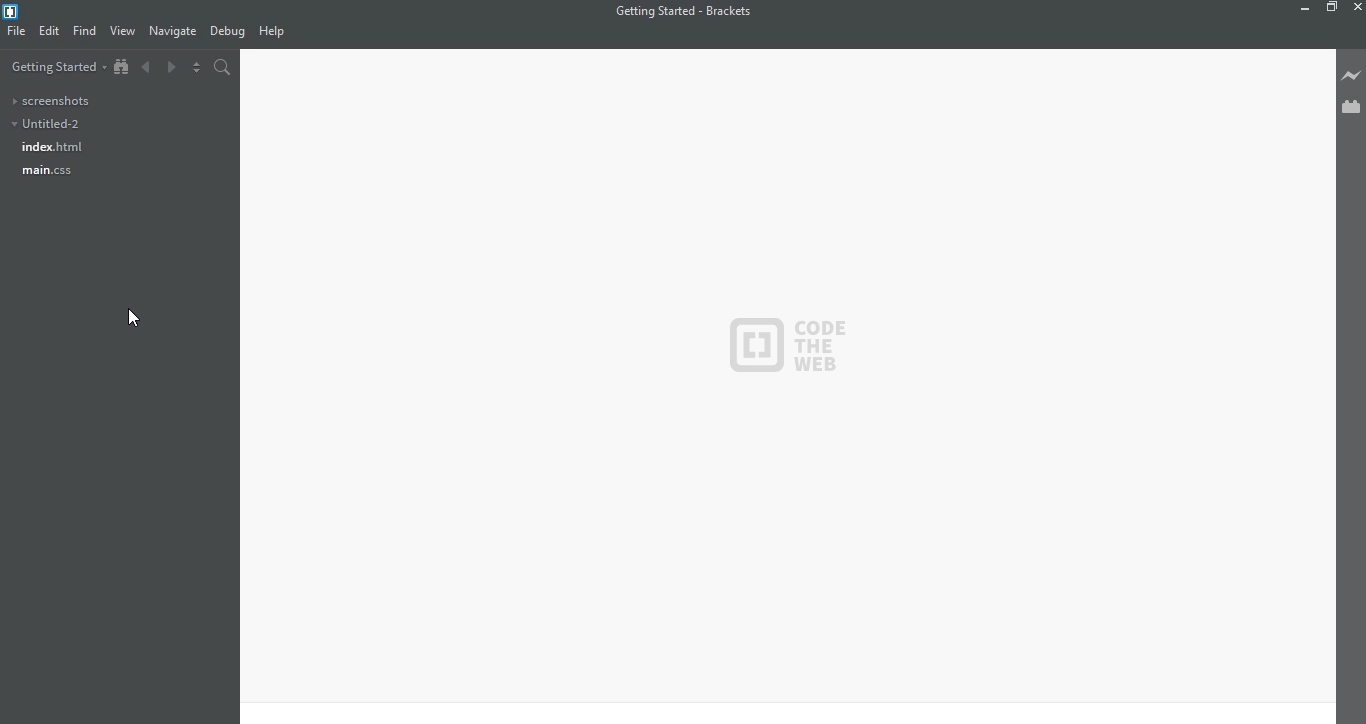  What do you see at coordinates (1350, 108) in the screenshot?
I see `extension manger` at bounding box center [1350, 108].